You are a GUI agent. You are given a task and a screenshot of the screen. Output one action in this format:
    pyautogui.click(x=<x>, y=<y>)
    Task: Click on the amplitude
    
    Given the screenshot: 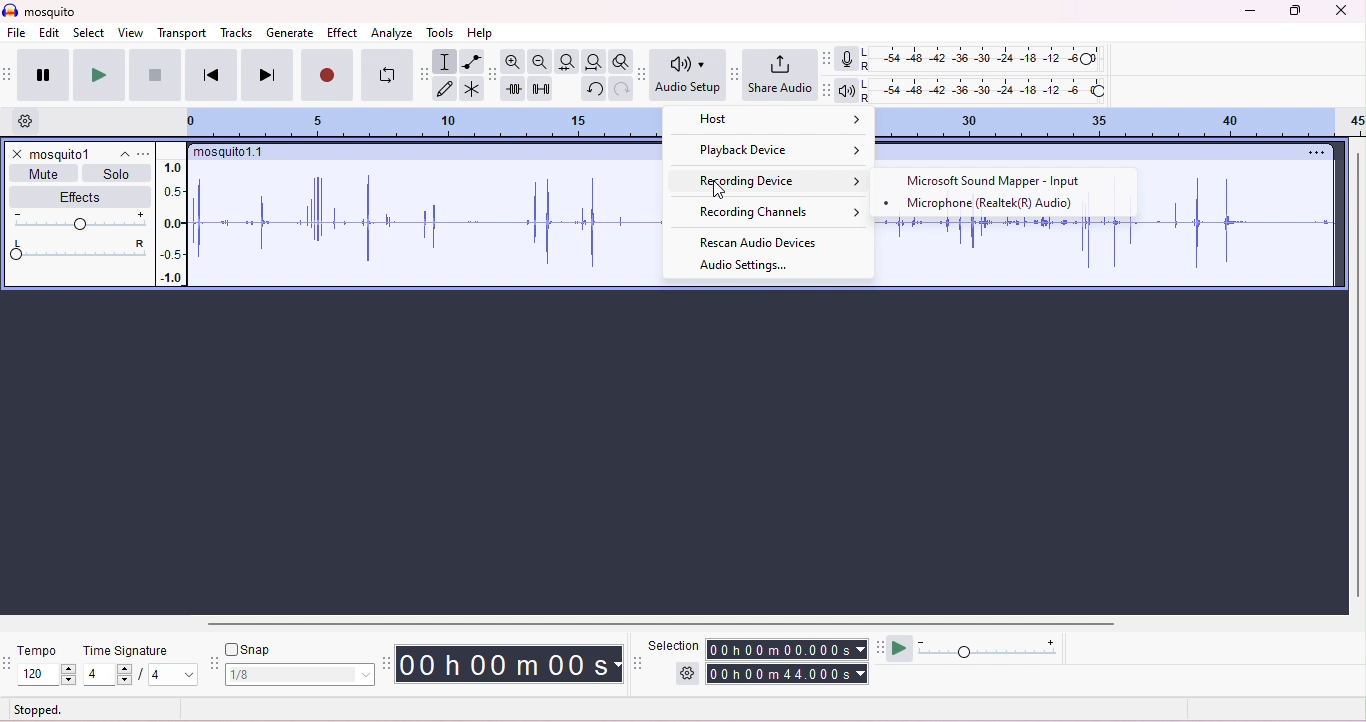 What is the action you would take?
    pyautogui.click(x=174, y=222)
    